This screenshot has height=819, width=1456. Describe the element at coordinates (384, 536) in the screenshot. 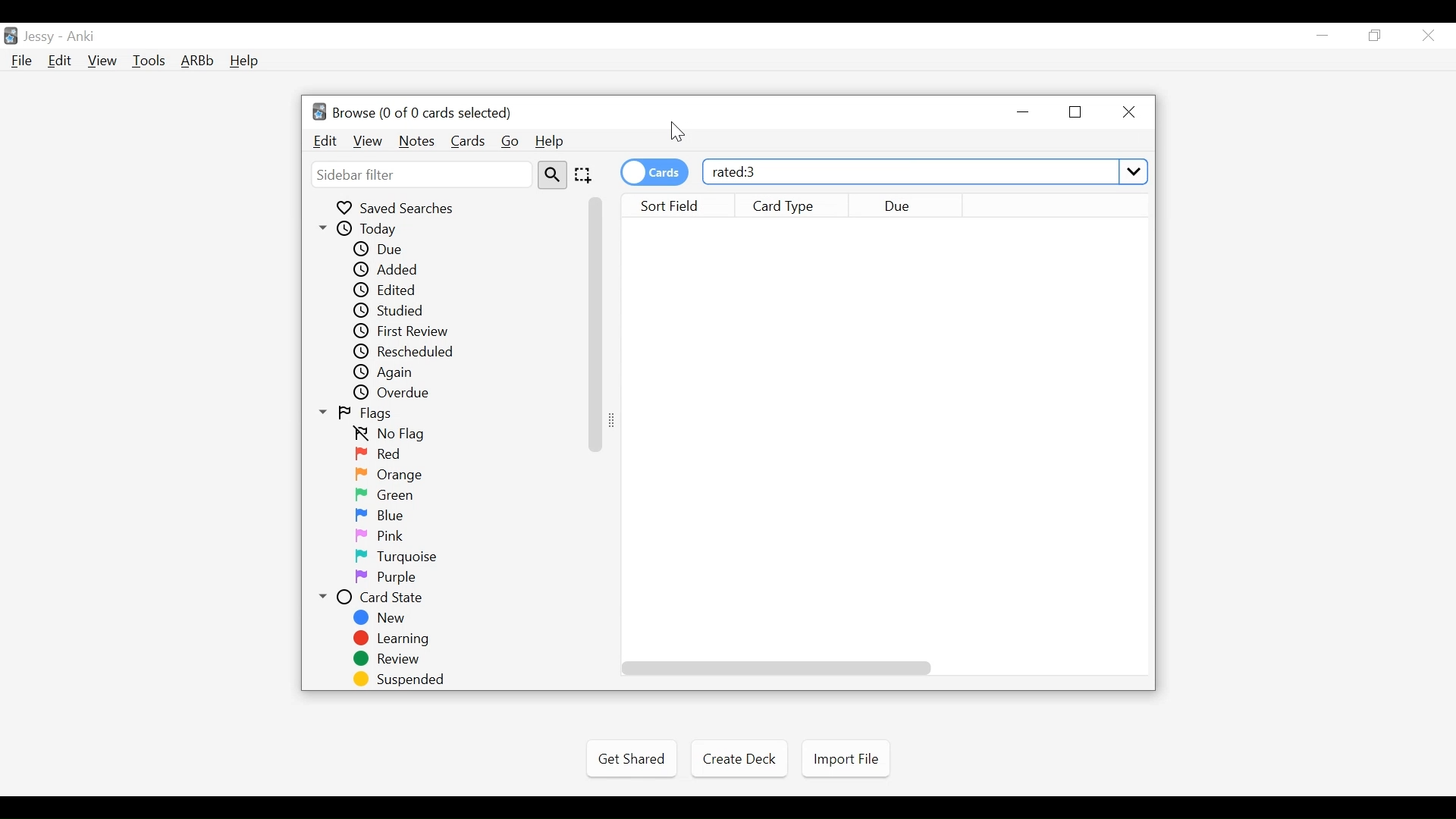

I see `Pink` at that location.